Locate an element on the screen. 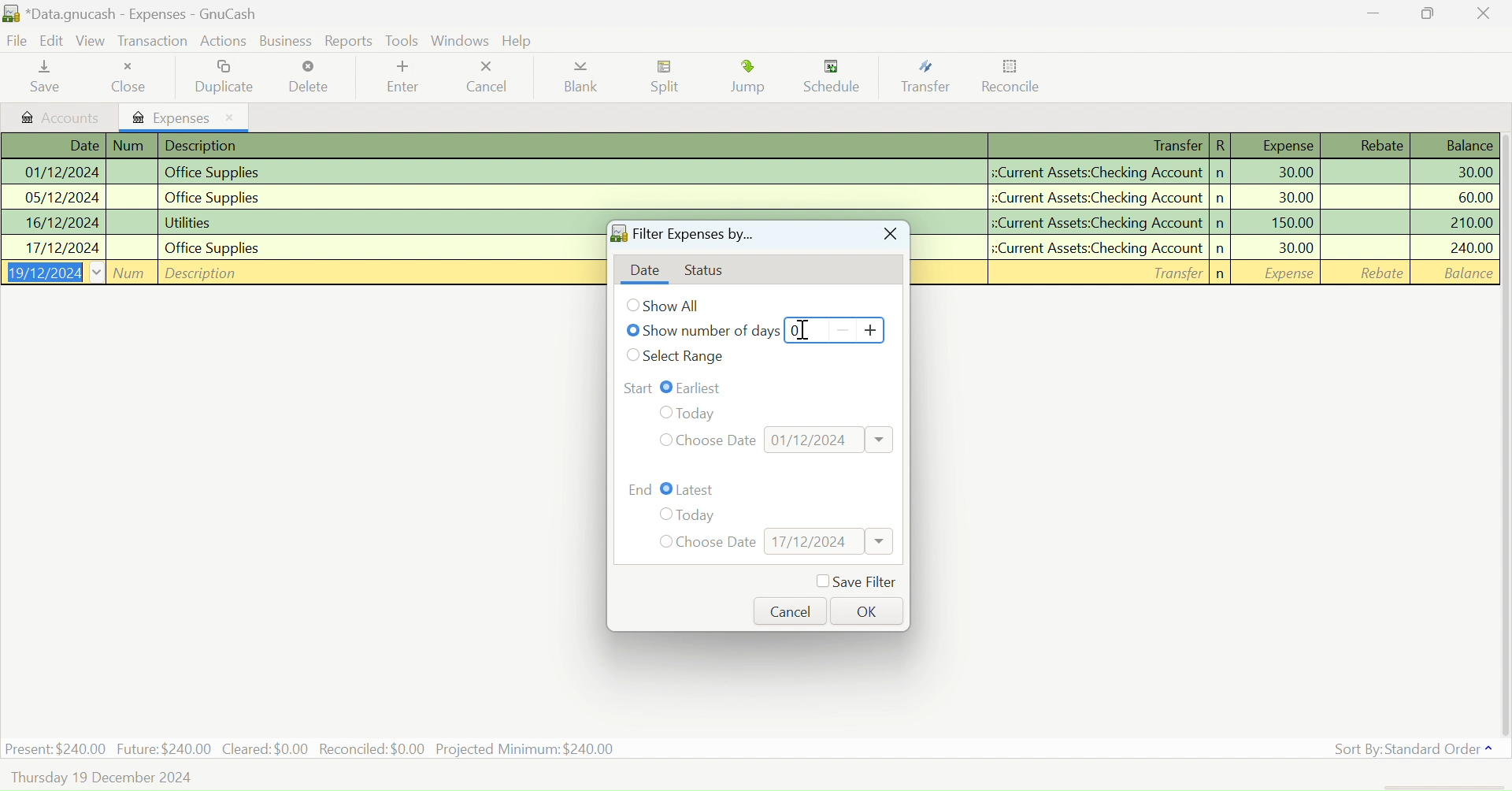 This screenshot has width=1512, height=791. Business is located at coordinates (288, 41).